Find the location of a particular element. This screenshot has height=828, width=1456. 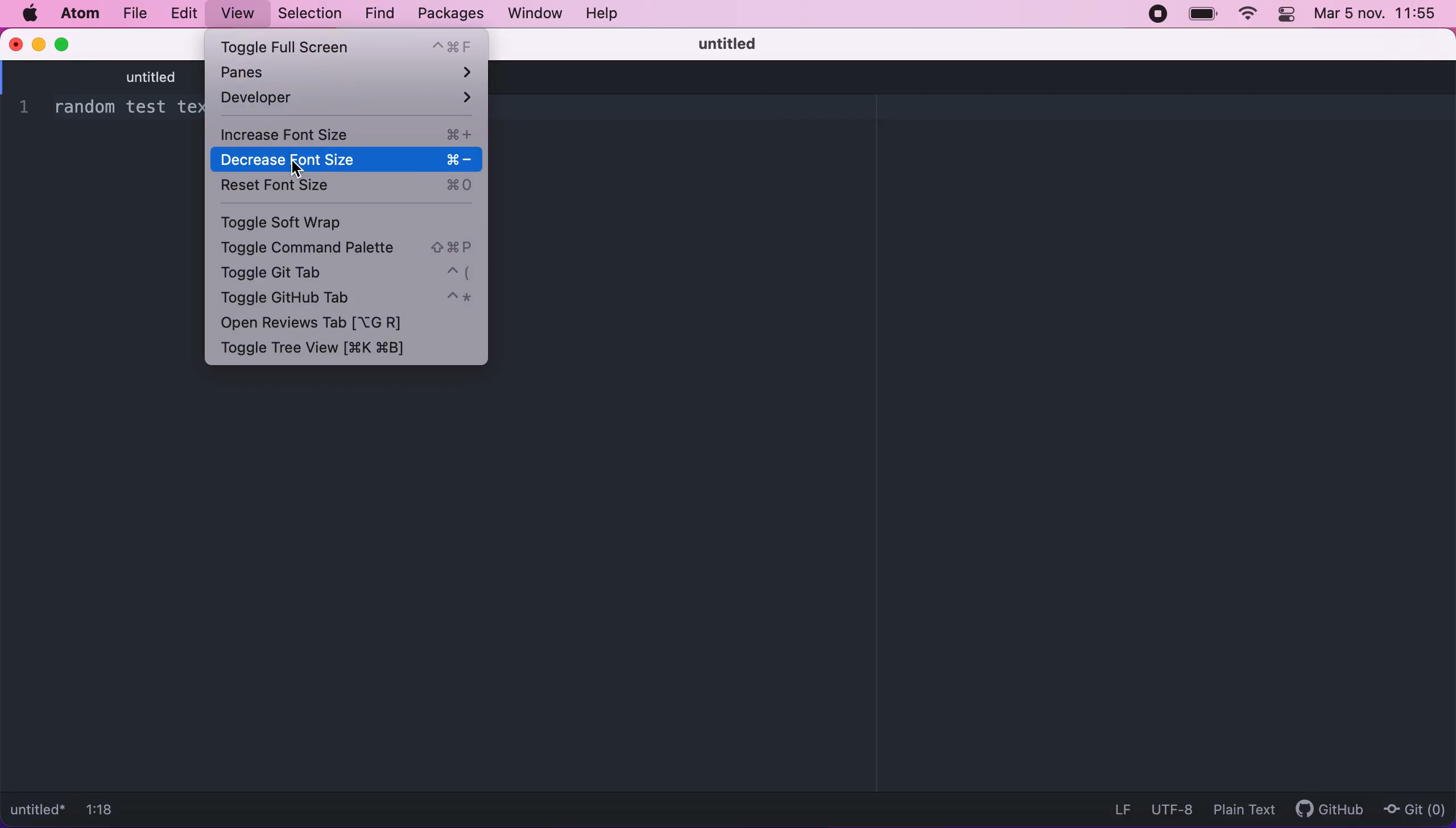

view is located at coordinates (241, 13).